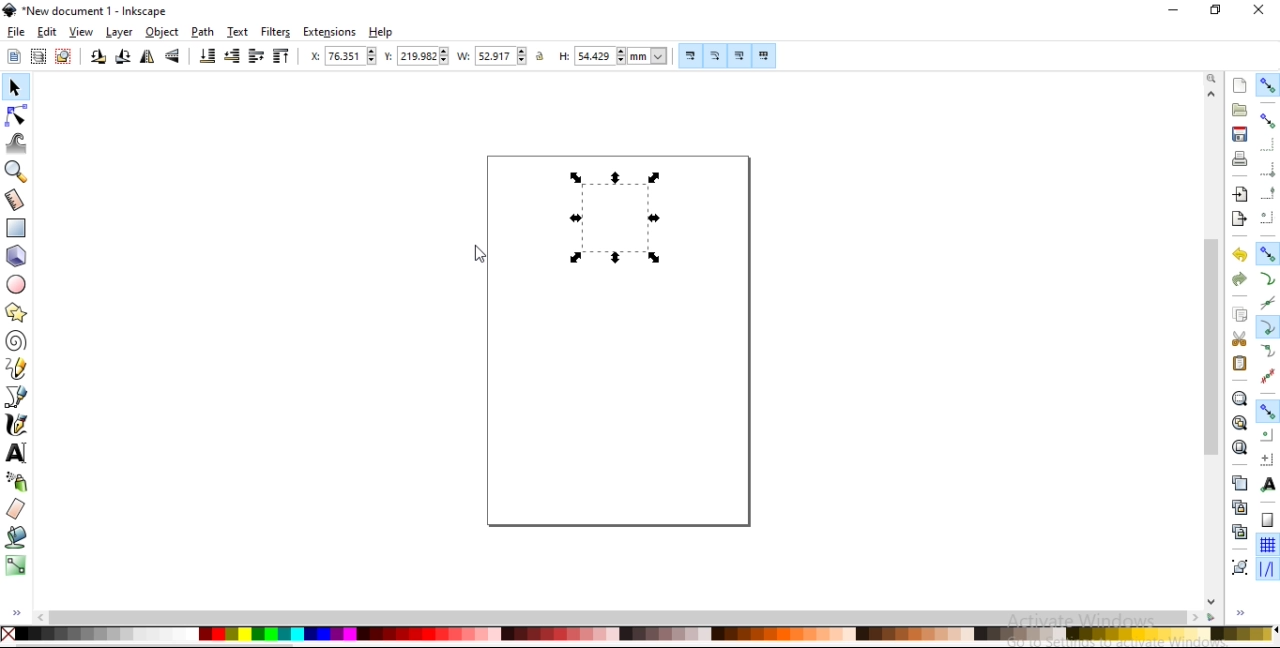  I want to click on scrollbar, so click(1214, 341).